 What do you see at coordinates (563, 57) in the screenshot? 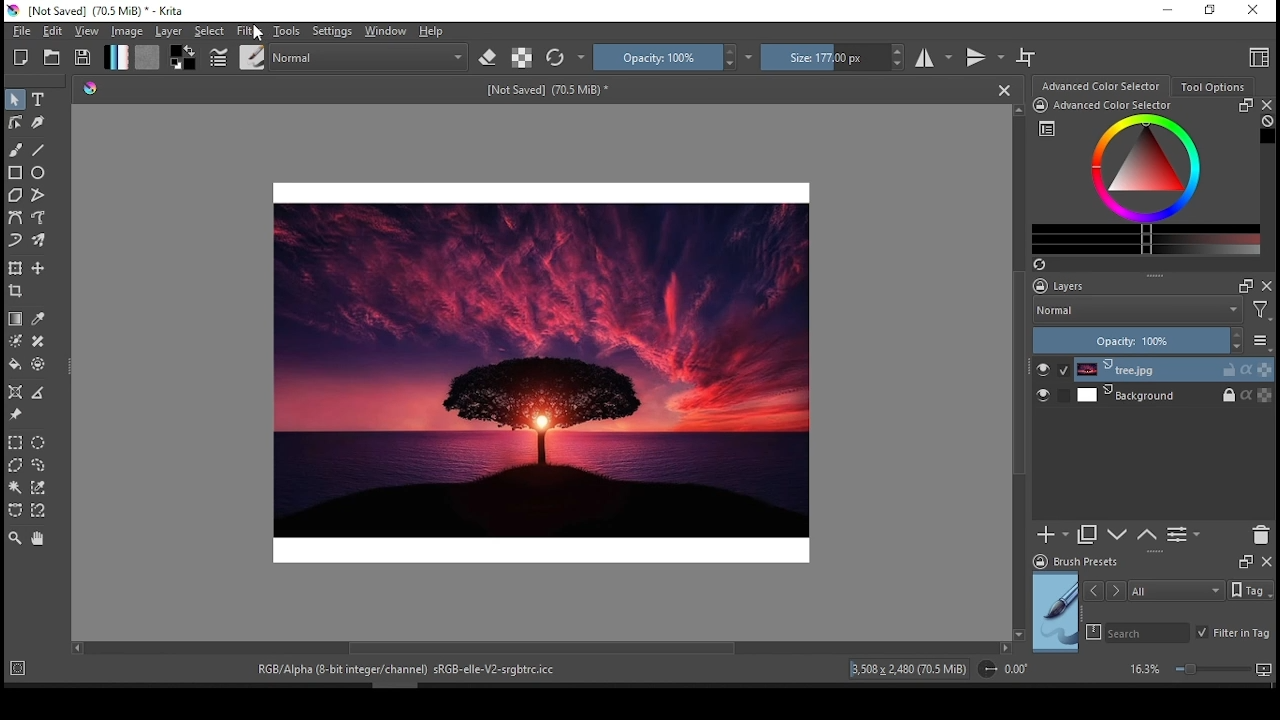
I see `reload original preset` at bounding box center [563, 57].